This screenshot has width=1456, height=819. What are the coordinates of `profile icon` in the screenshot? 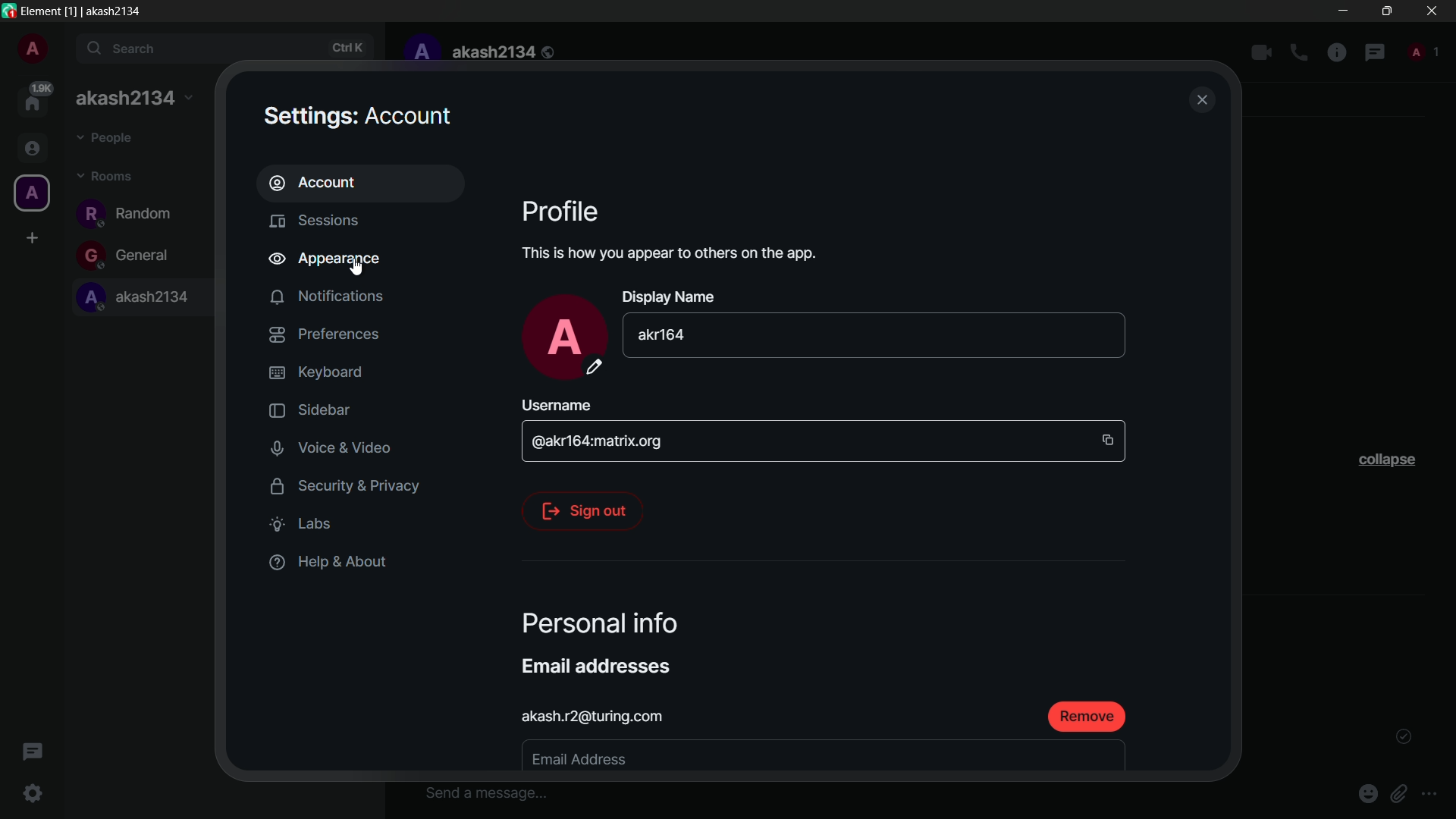 It's located at (30, 193).